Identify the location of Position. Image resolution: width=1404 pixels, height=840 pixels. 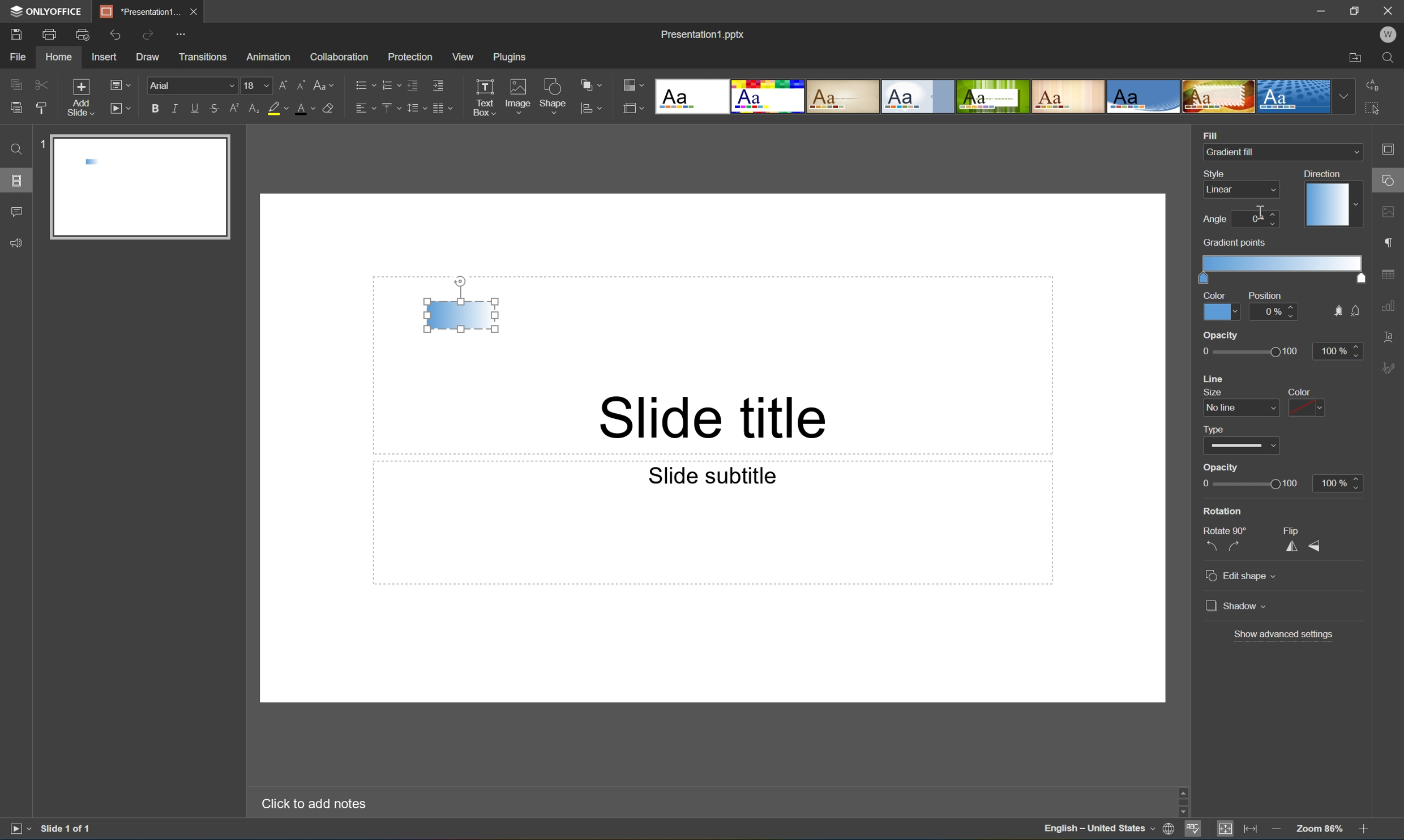
(1264, 295).